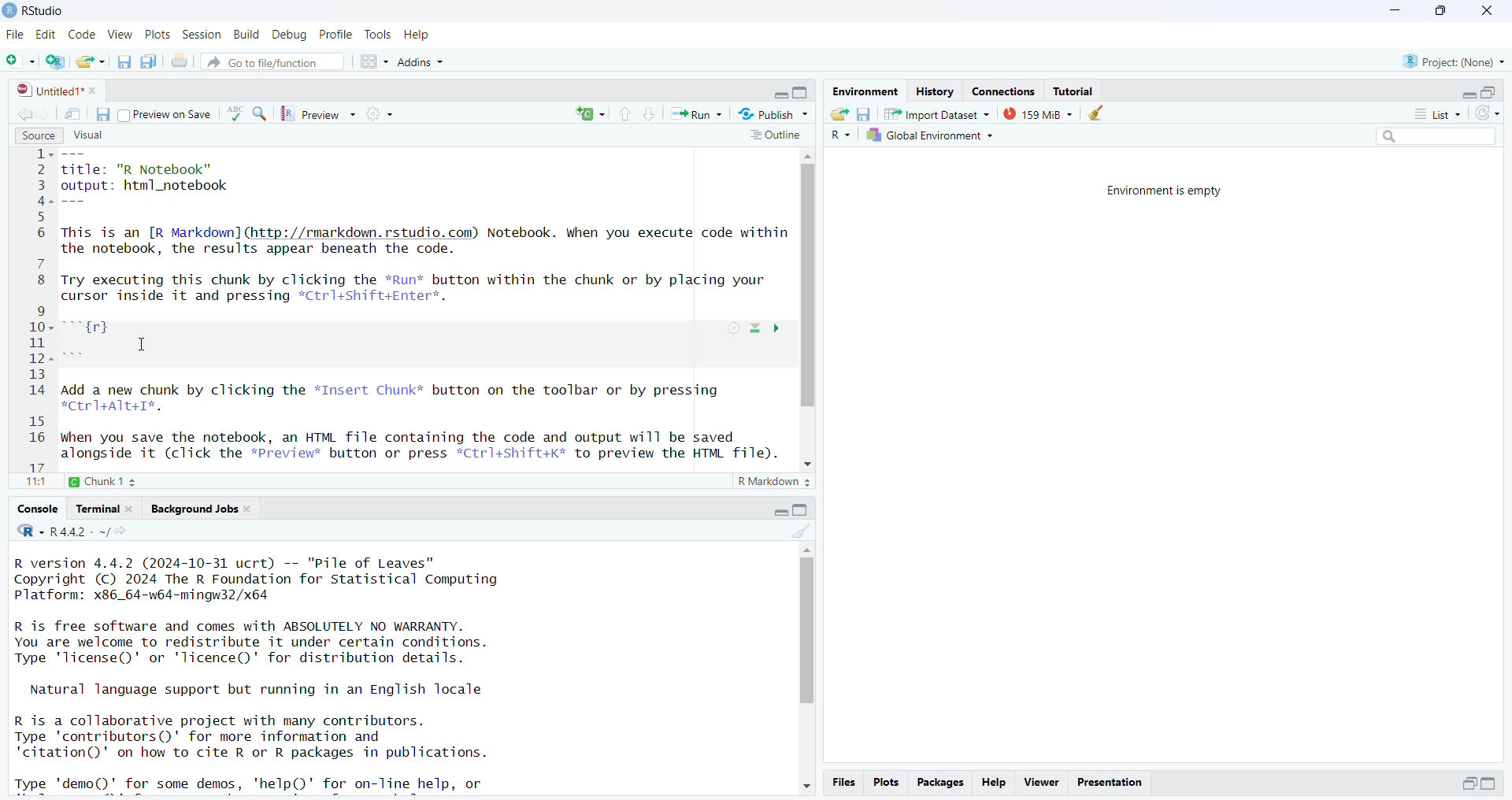 The image size is (1512, 800). I want to click on build, so click(248, 35).